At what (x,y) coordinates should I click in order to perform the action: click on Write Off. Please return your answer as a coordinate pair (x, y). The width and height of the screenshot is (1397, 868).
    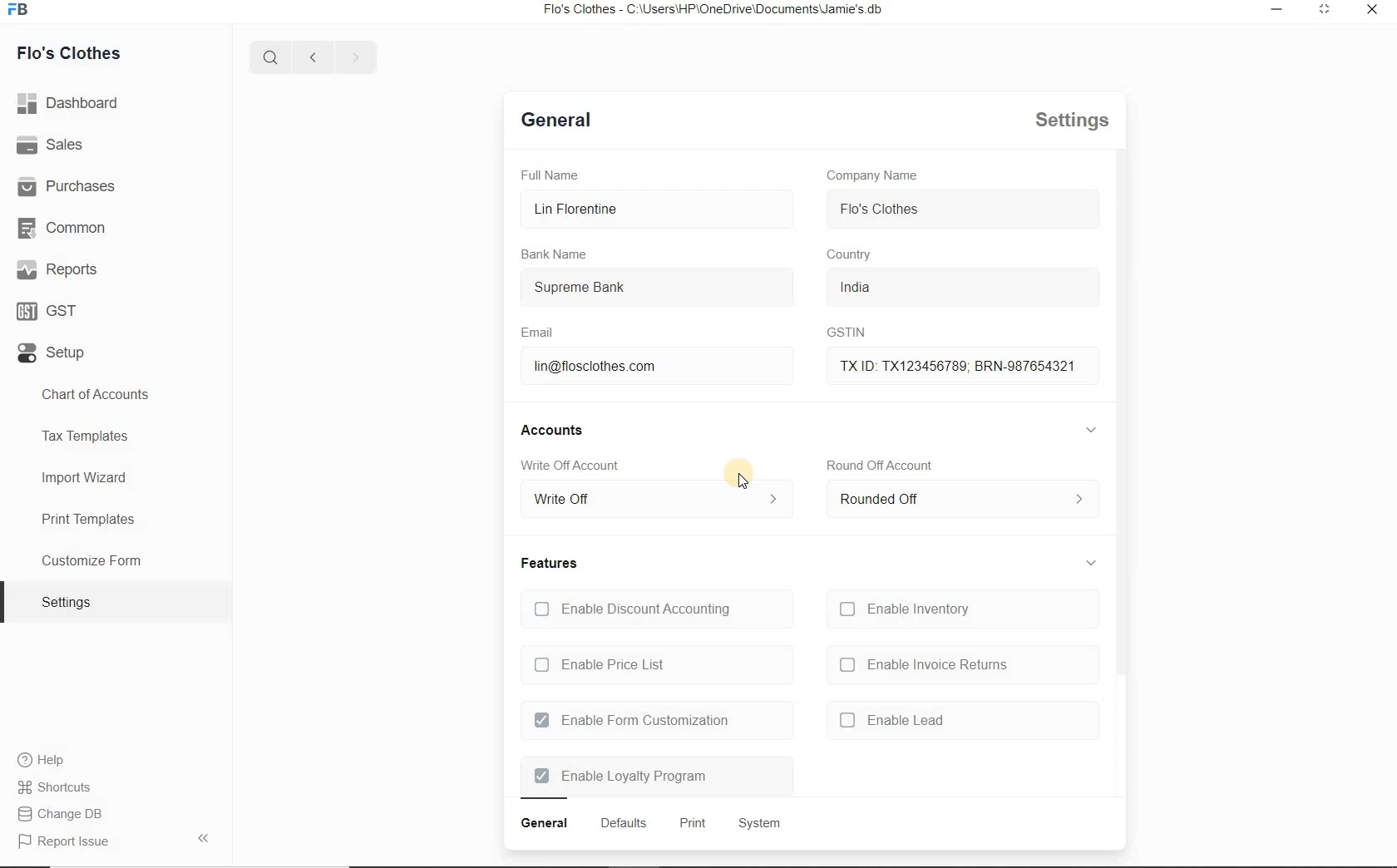
    Looking at the image, I should click on (656, 497).